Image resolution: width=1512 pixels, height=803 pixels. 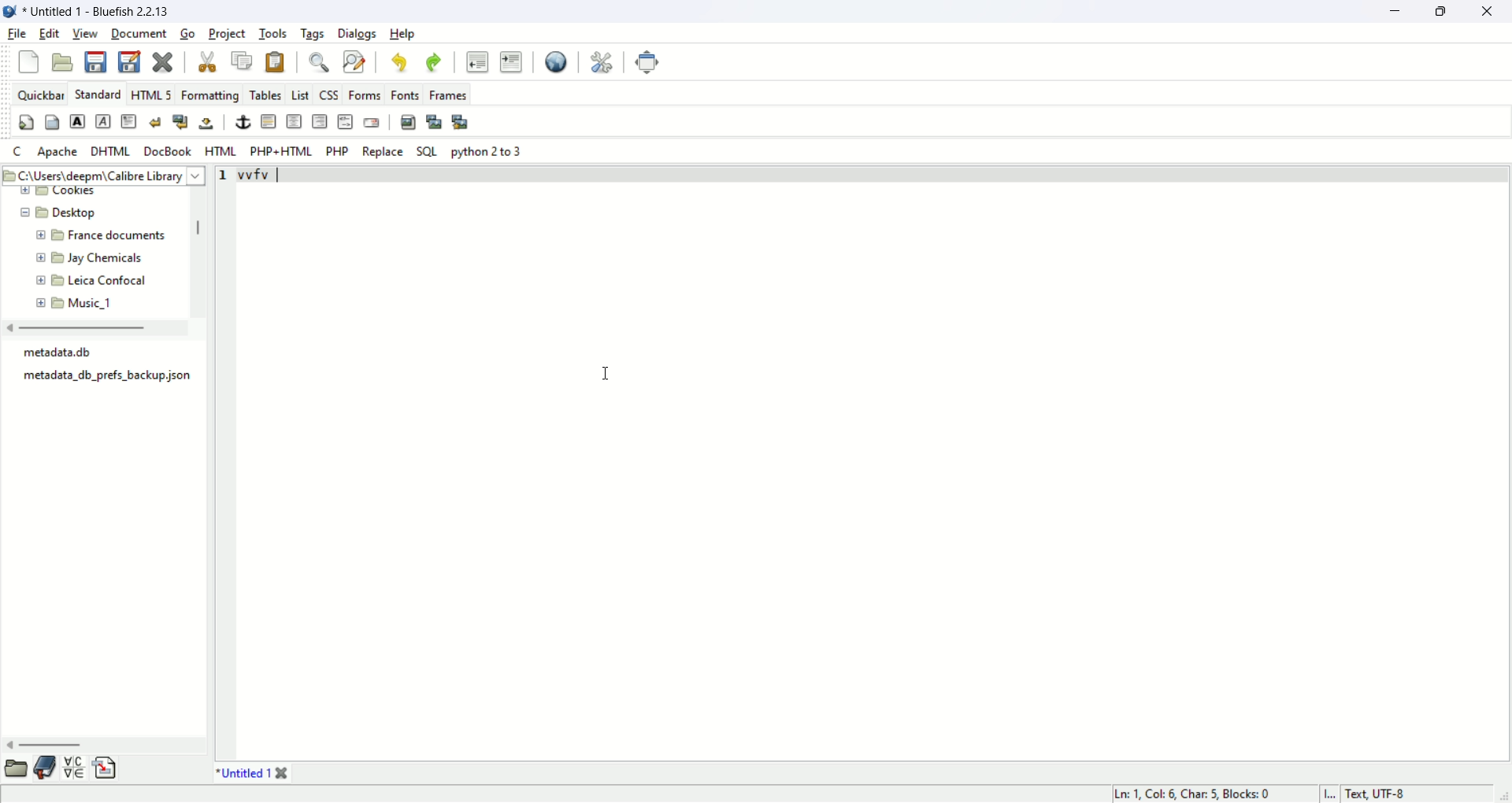 I want to click on tables, so click(x=265, y=95).